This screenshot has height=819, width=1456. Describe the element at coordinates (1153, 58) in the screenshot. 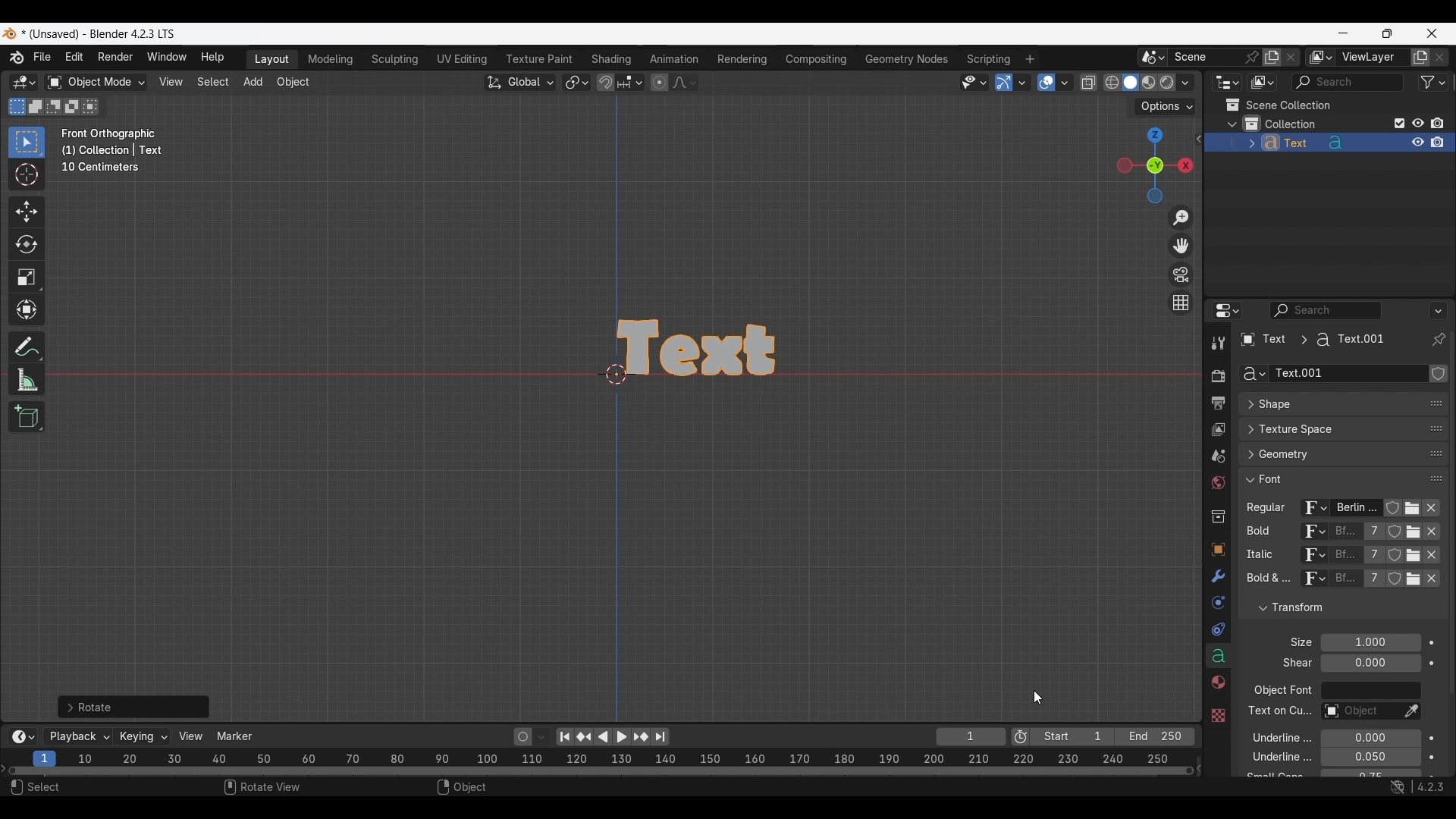

I see `Browse scene to be linked` at that location.